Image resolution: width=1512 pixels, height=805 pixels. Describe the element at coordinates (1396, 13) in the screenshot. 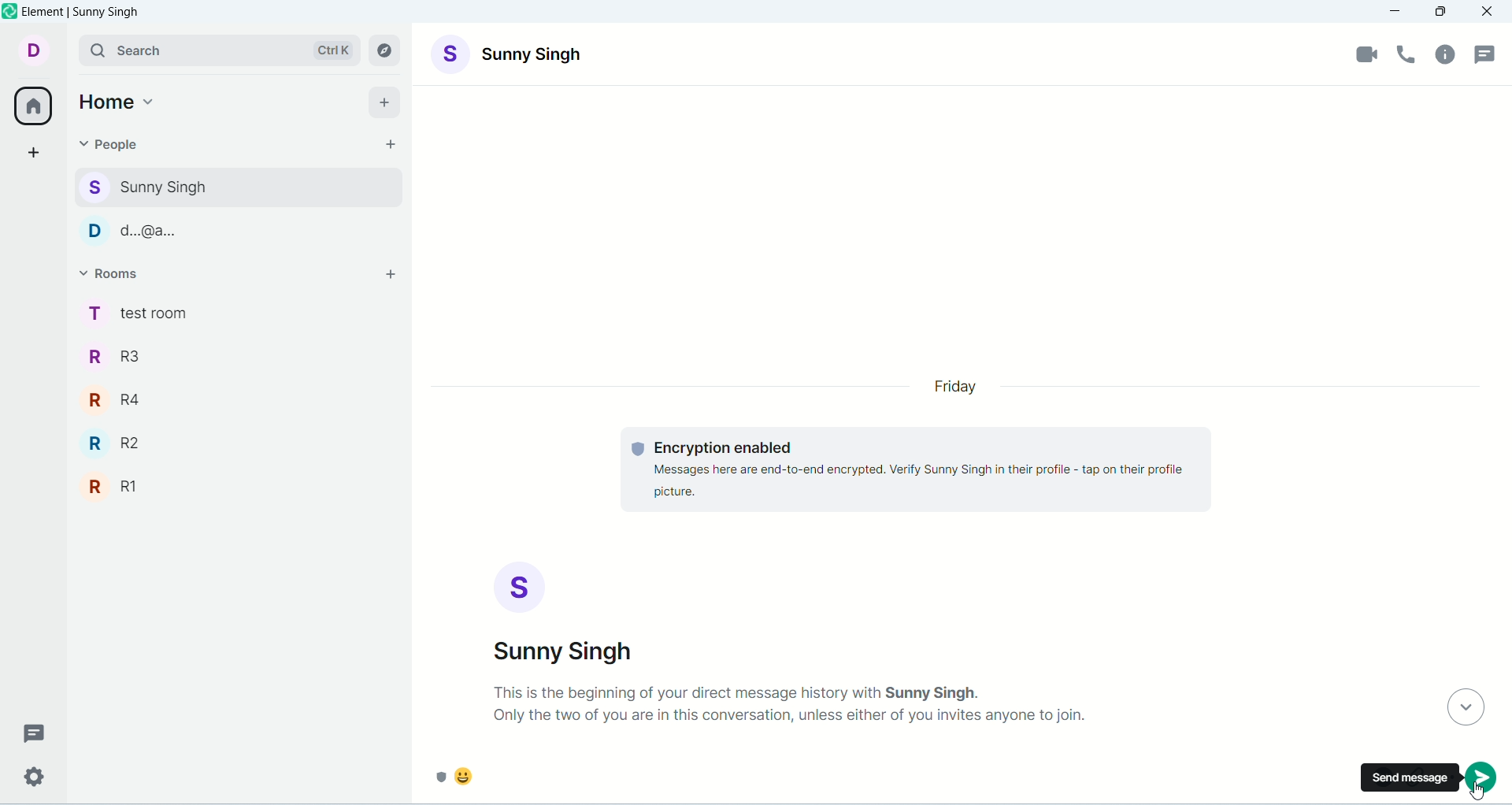

I see `minimize` at that location.